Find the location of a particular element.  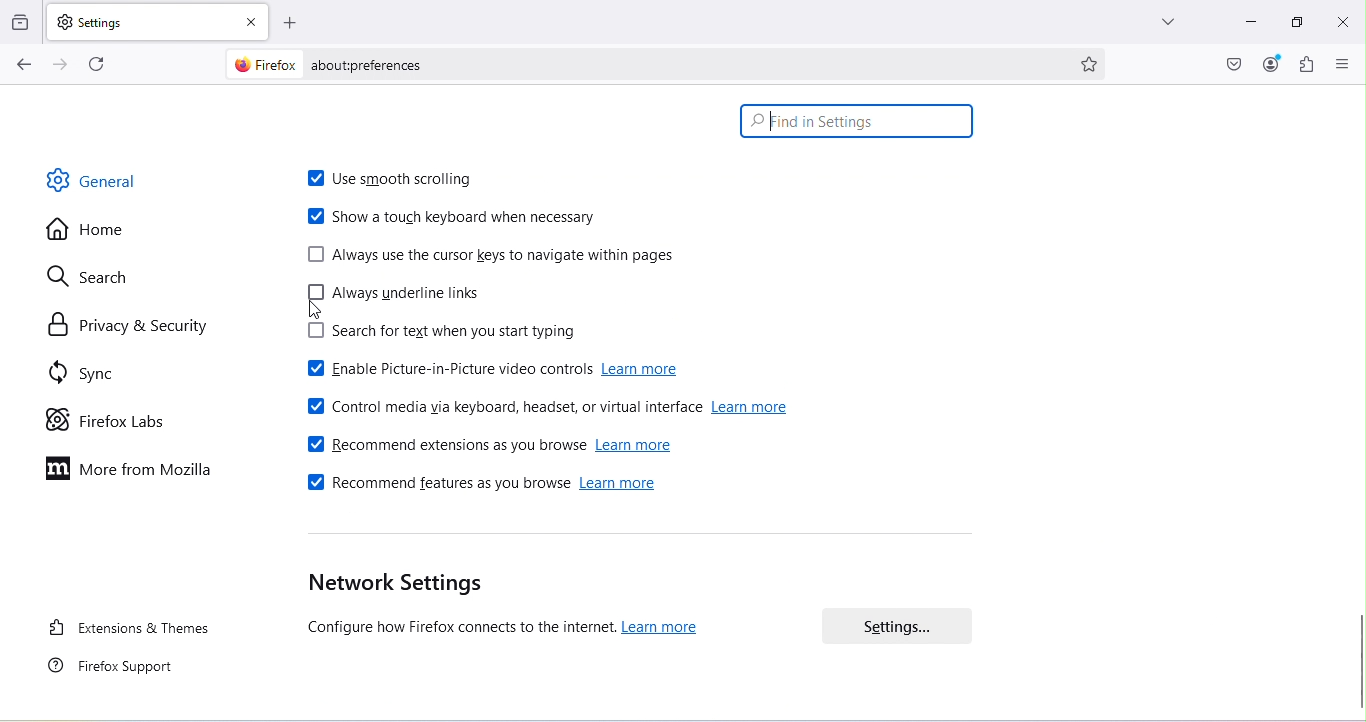

learn more is located at coordinates (644, 372).